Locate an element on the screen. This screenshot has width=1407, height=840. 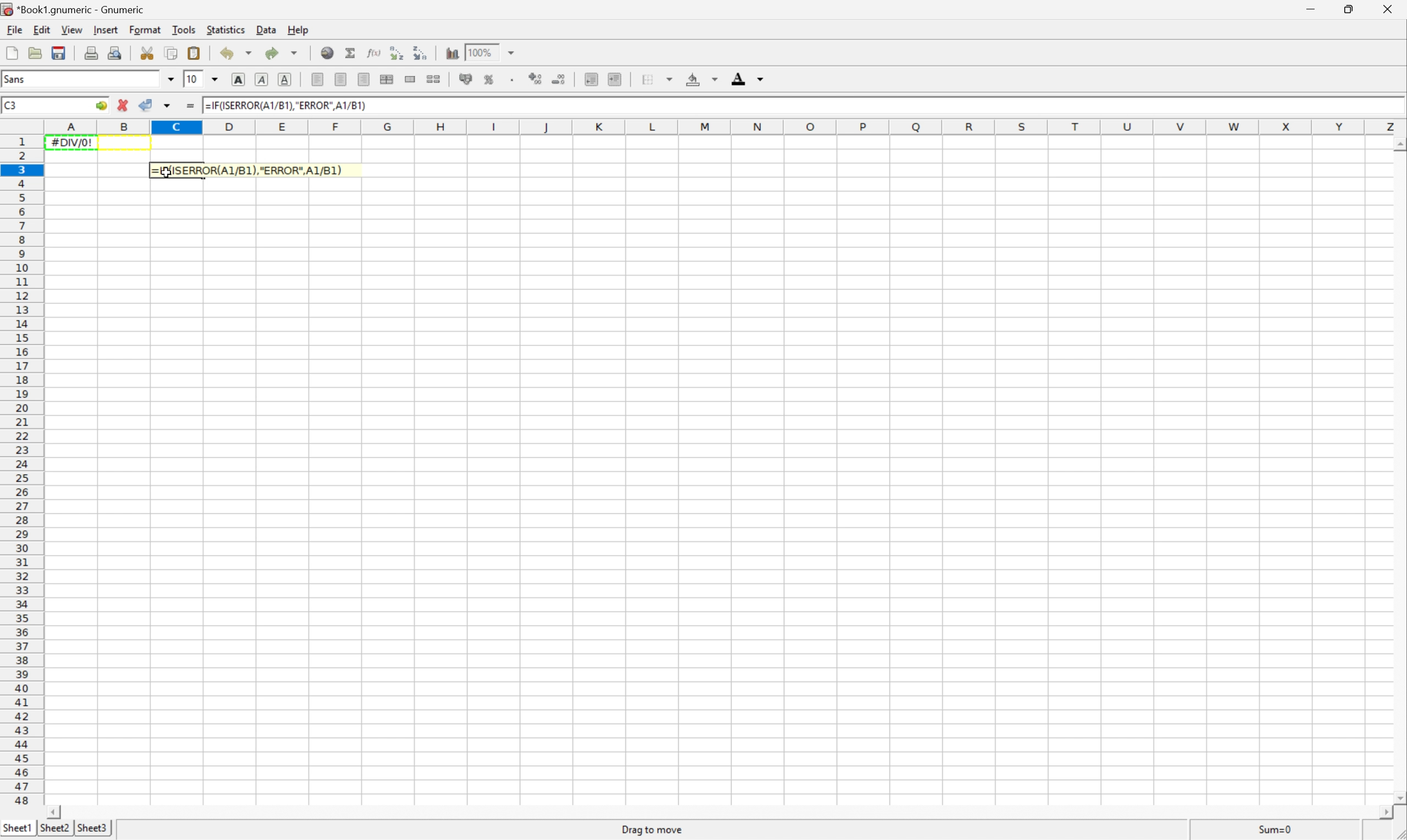
split merged ranges of cells is located at coordinates (435, 79).